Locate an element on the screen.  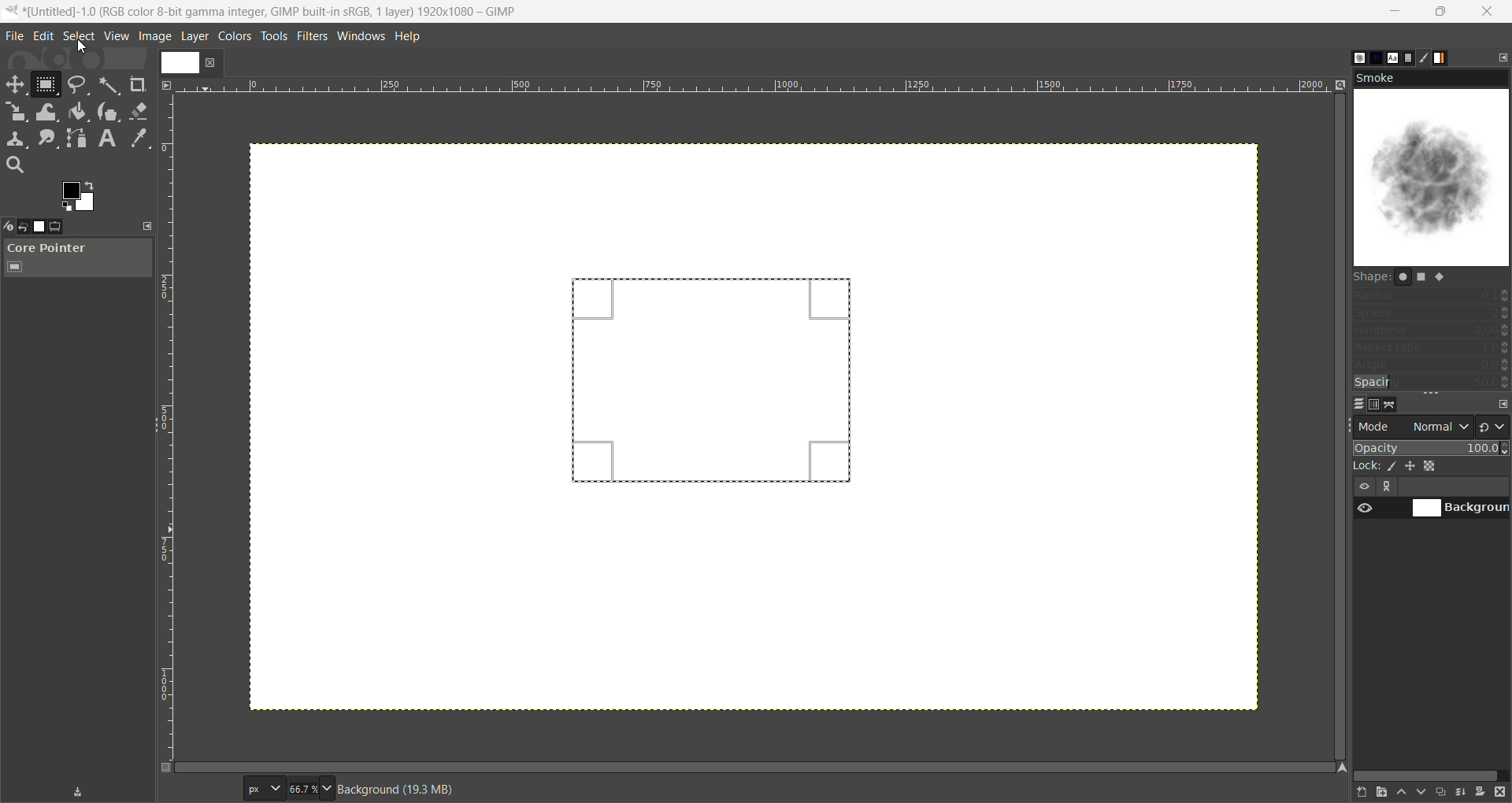
clone tool is located at coordinates (17, 140).